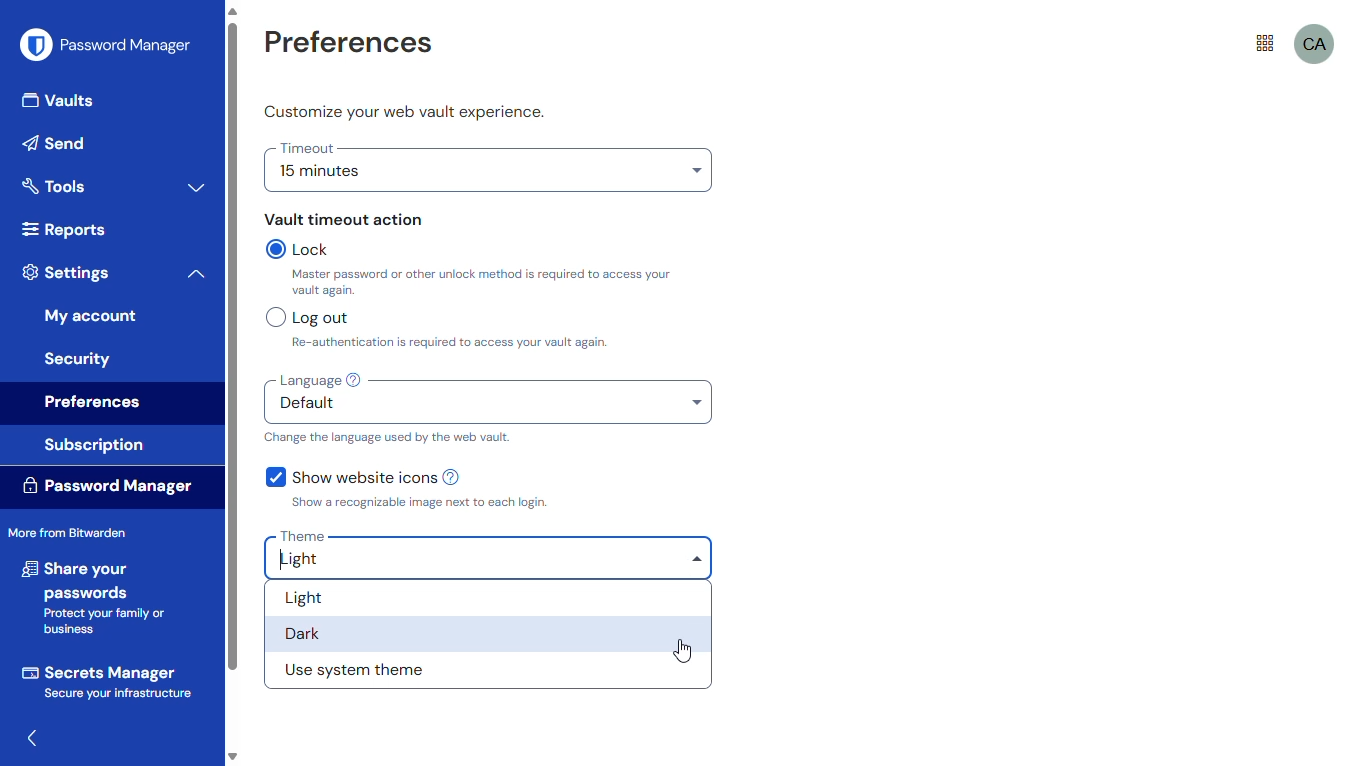 The image size is (1366, 766). What do you see at coordinates (98, 598) in the screenshot?
I see `share your passwords Protect your family or business` at bounding box center [98, 598].